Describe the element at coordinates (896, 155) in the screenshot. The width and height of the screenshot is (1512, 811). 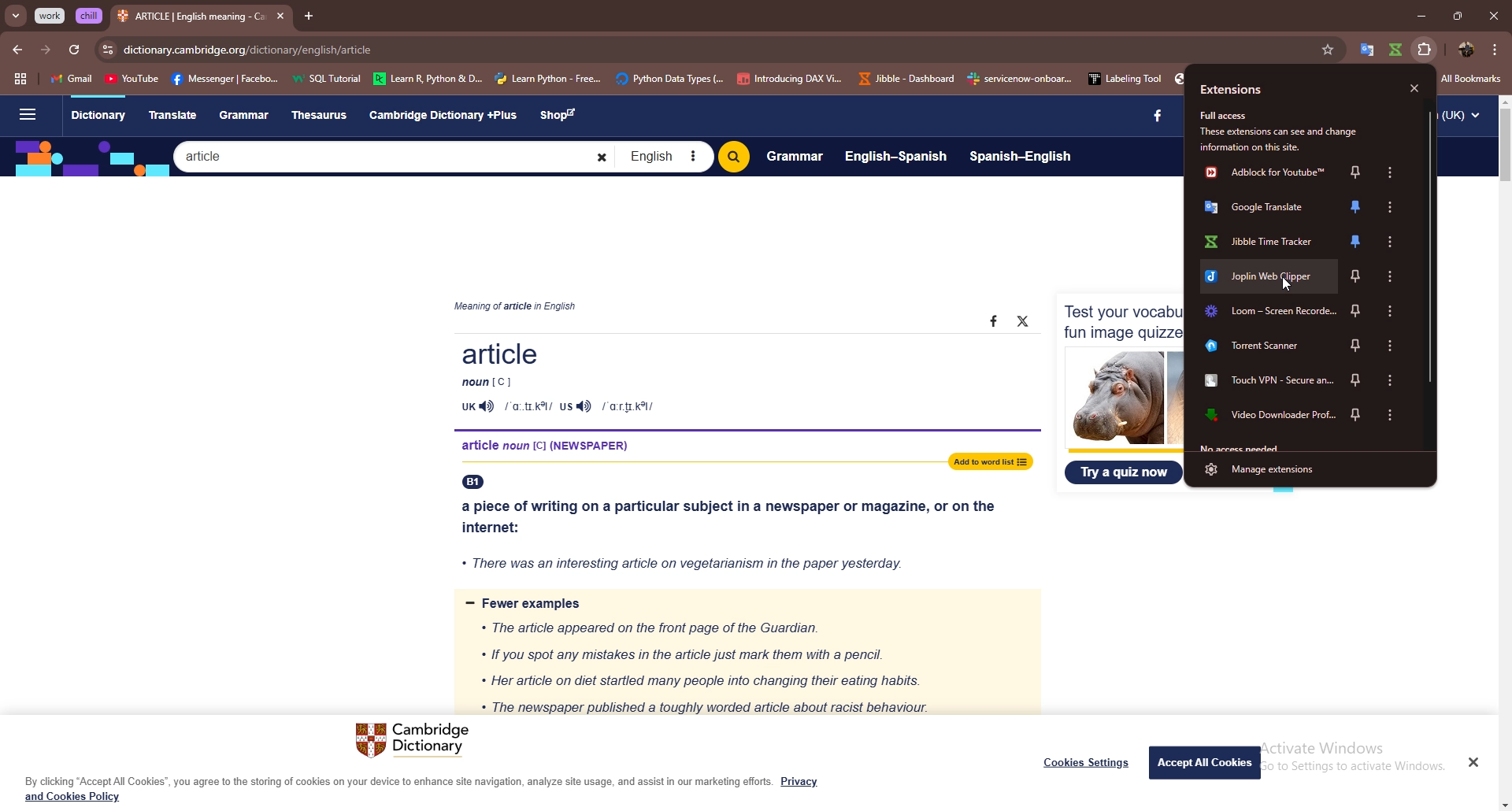
I see `English-Spanish` at that location.